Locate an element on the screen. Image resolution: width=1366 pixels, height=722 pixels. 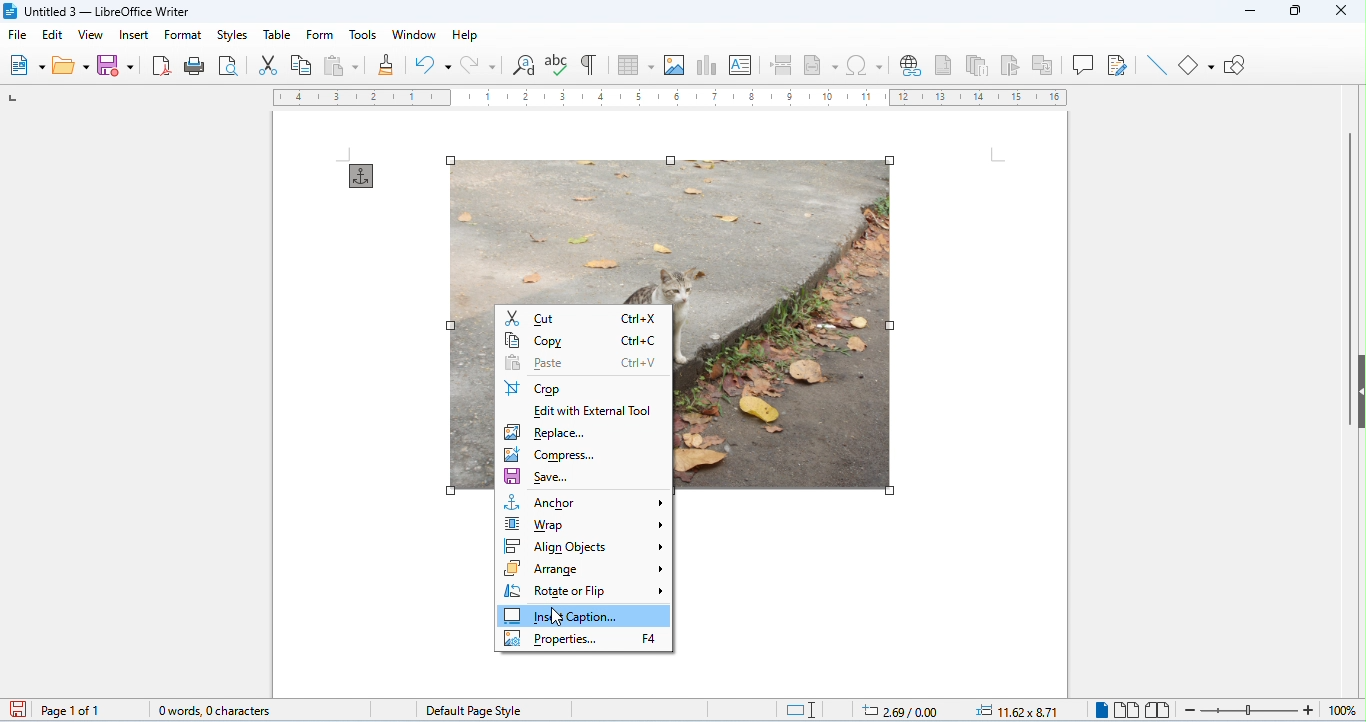
zoom is located at coordinates (1265, 709).